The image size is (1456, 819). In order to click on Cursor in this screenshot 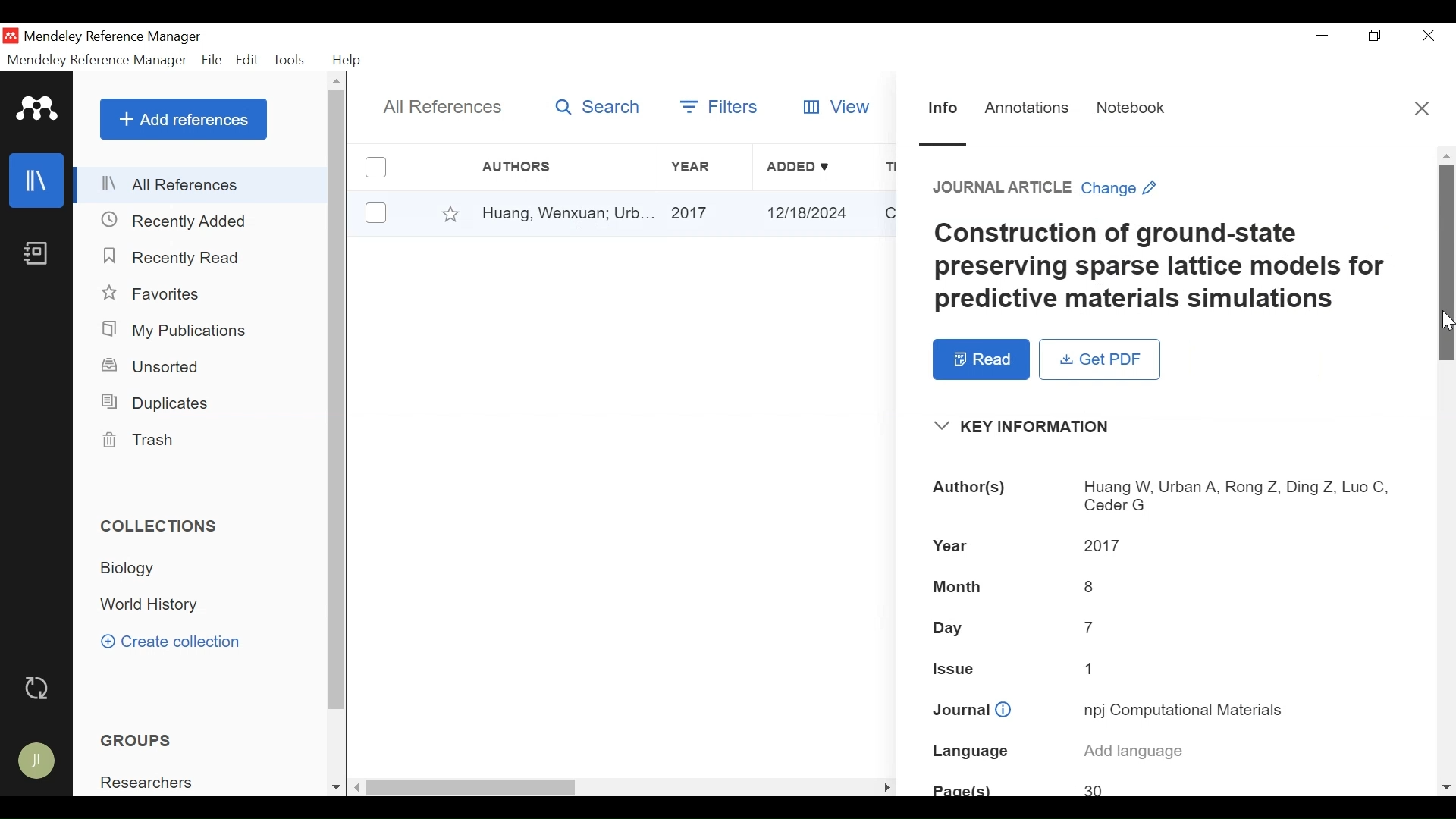, I will do `click(1445, 317)`.